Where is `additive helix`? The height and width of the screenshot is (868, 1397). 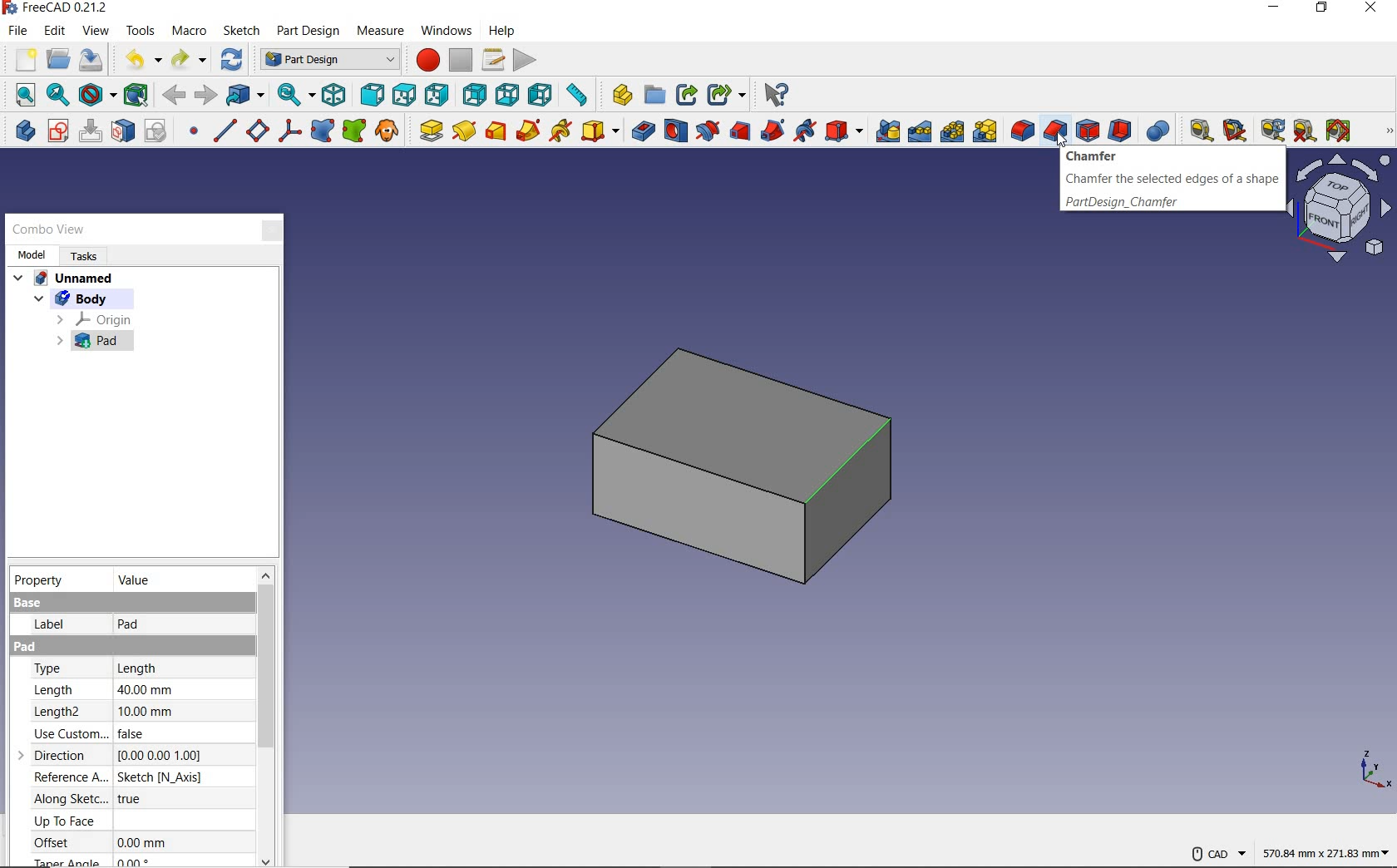 additive helix is located at coordinates (561, 131).